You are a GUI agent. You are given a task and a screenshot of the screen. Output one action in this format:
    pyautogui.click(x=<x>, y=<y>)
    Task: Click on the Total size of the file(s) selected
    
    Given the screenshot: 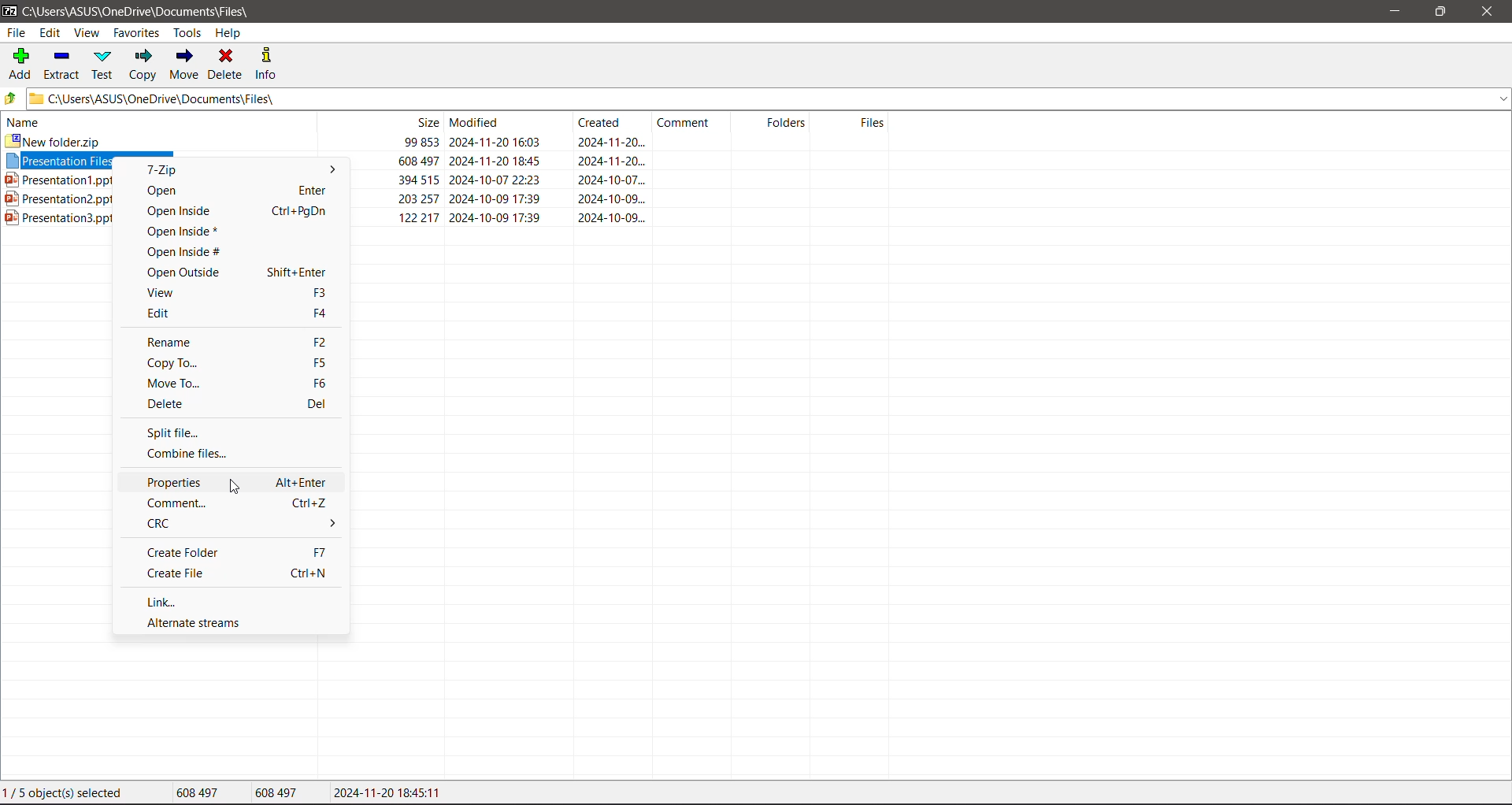 What is the action you would take?
    pyautogui.click(x=191, y=792)
    